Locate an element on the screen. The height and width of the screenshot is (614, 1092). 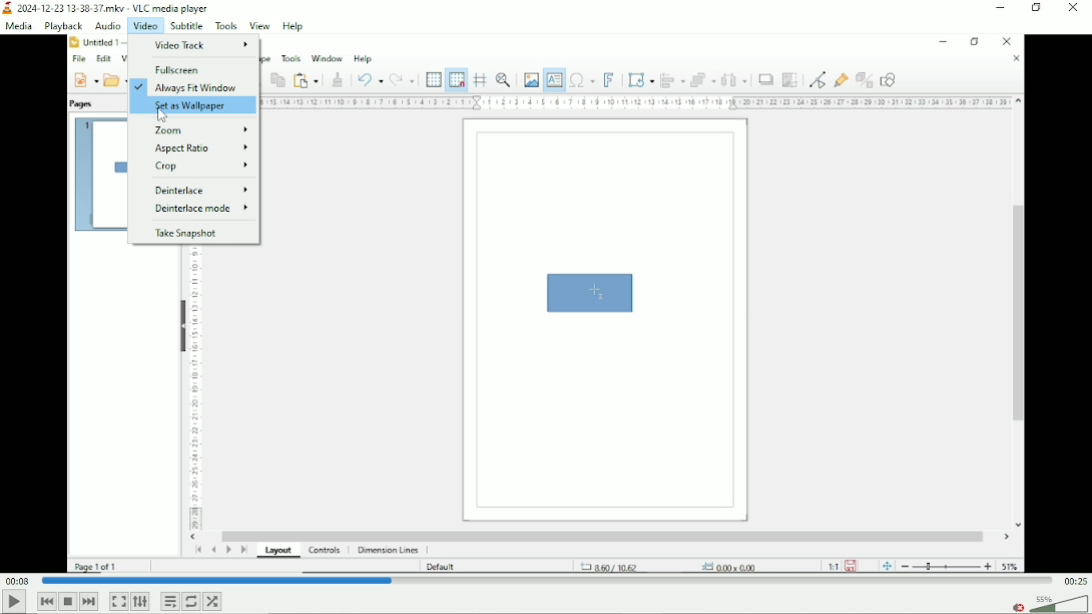
Help is located at coordinates (293, 26).